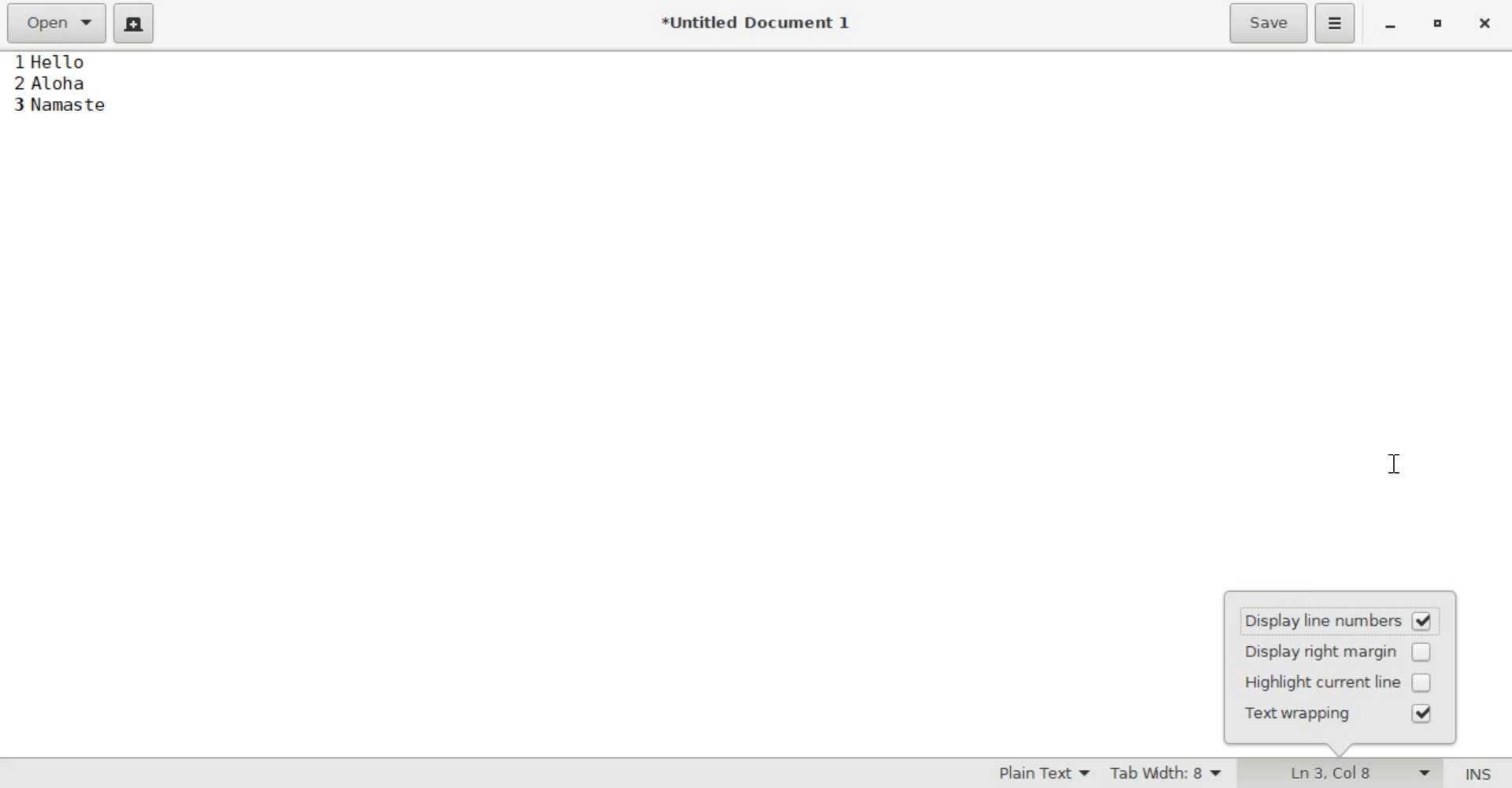 Image resolution: width=1512 pixels, height=788 pixels. Describe the element at coordinates (1316, 652) in the screenshot. I see `display right margin` at that location.